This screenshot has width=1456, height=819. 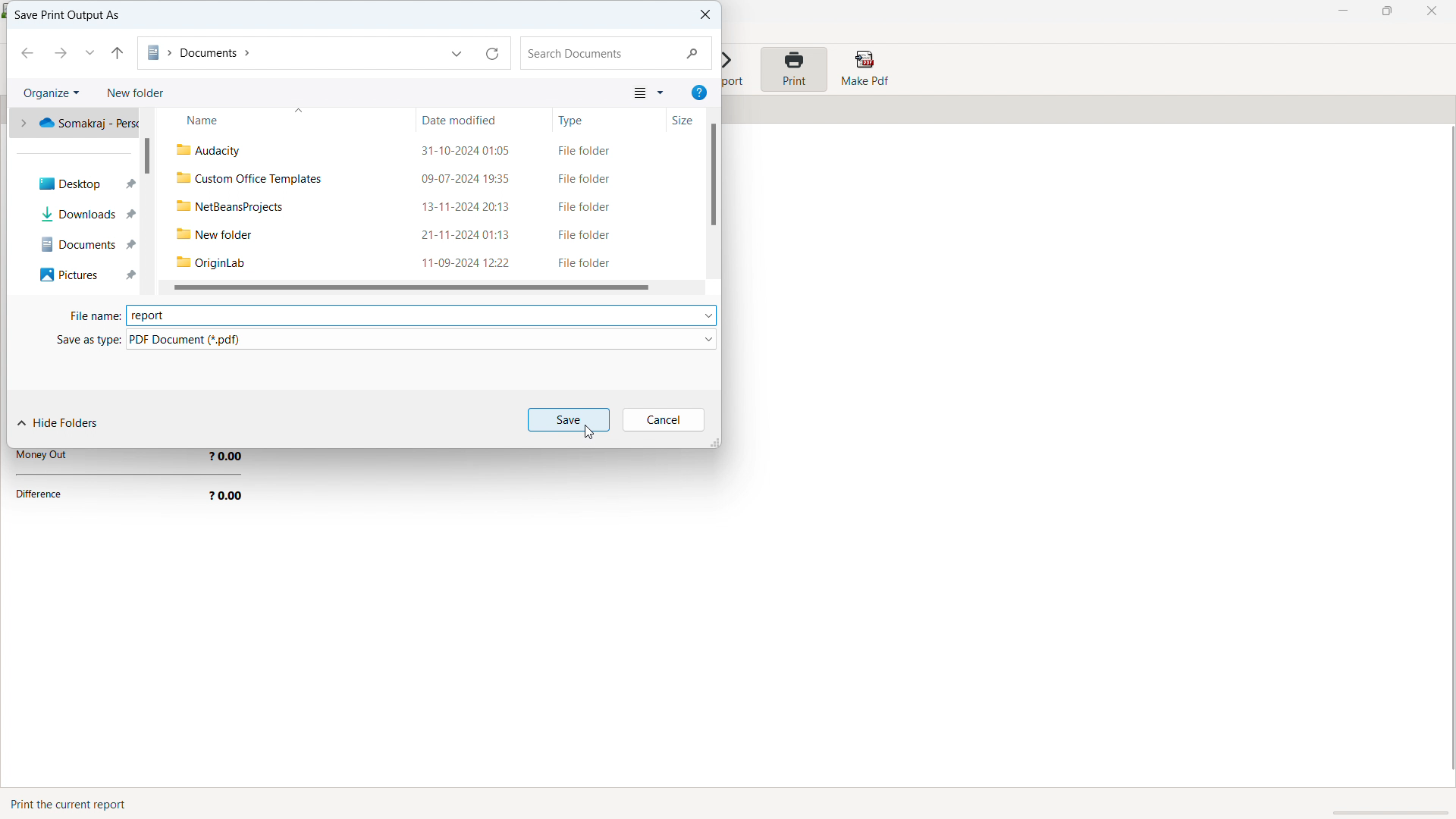 What do you see at coordinates (79, 126) in the screenshot?
I see ` Somakraj - Pers` at bounding box center [79, 126].